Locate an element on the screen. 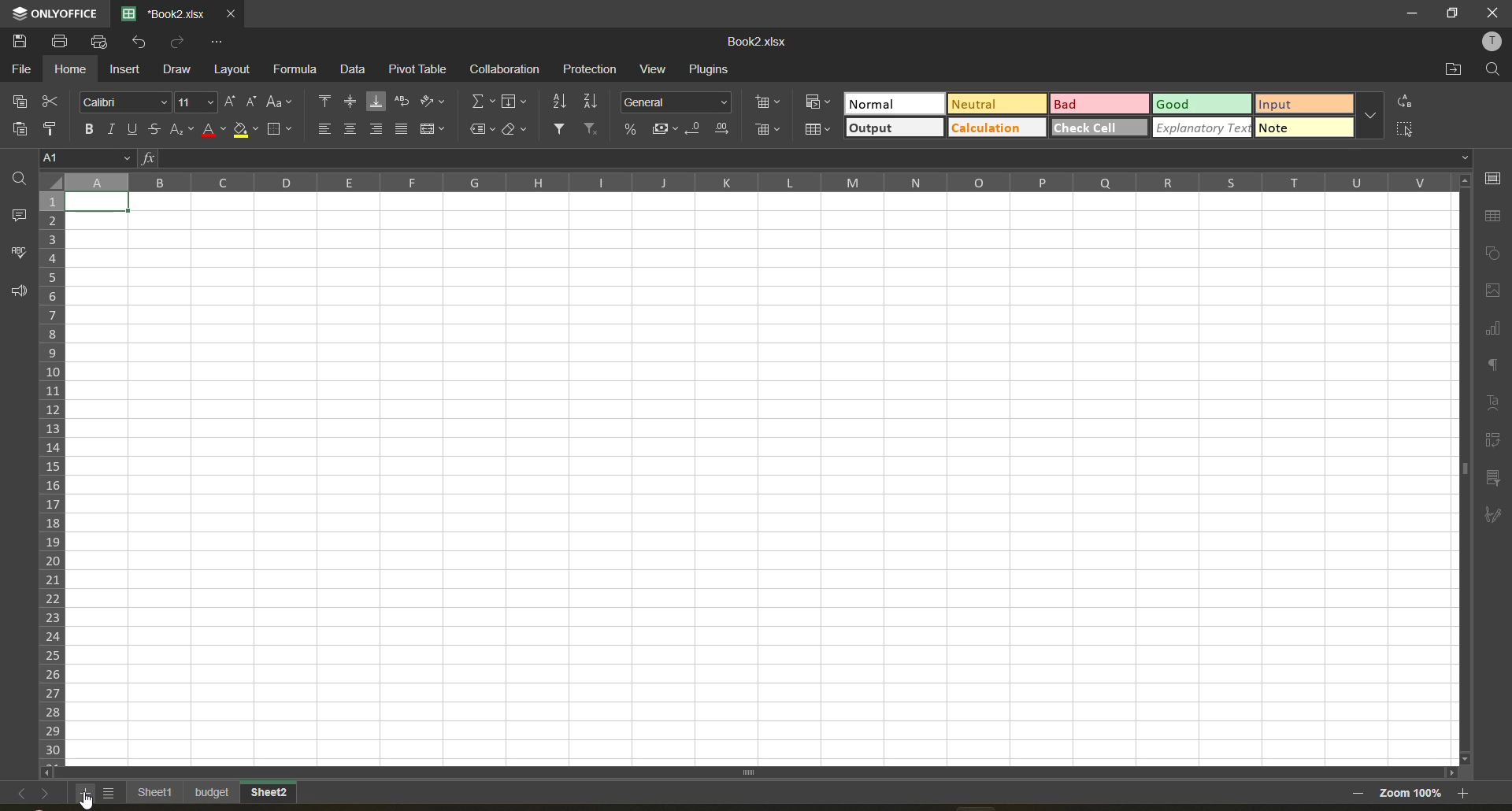 This screenshot has height=811, width=1512. decrease decimal is located at coordinates (695, 130).